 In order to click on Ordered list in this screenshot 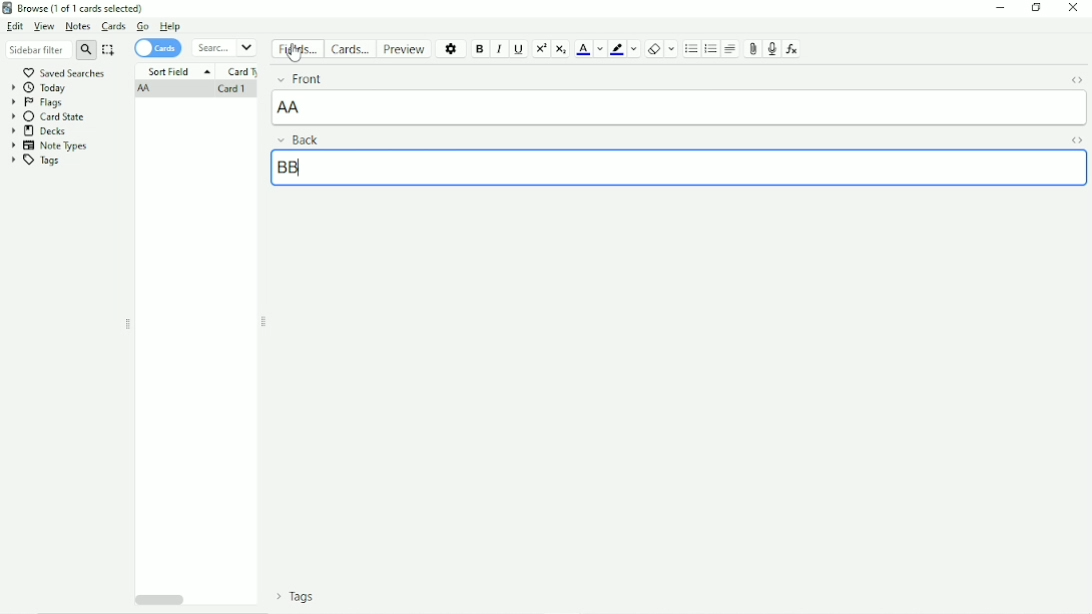, I will do `click(711, 49)`.